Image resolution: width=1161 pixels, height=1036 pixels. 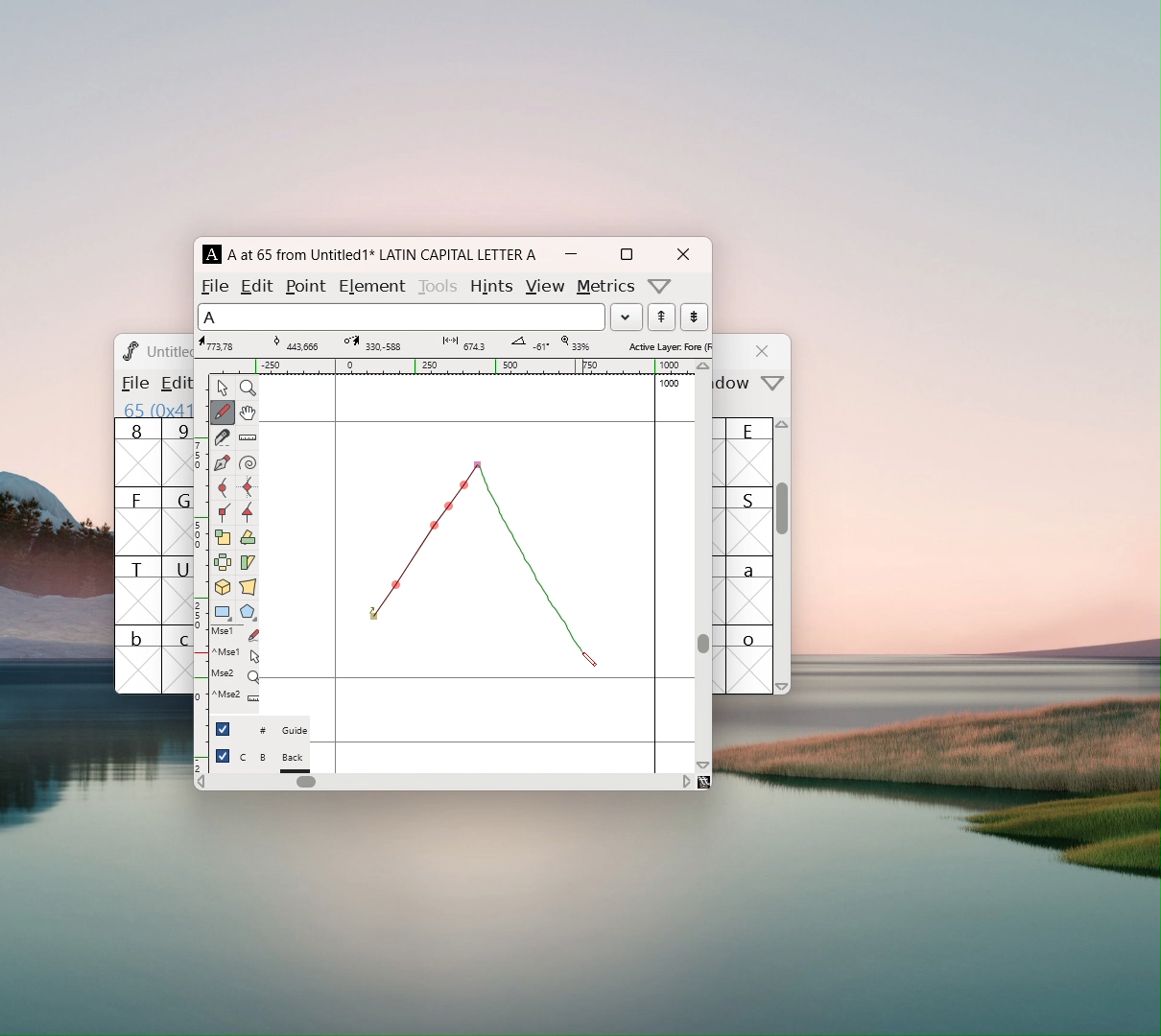 What do you see at coordinates (201, 784) in the screenshot?
I see `scroll left` at bounding box center [201, 784].